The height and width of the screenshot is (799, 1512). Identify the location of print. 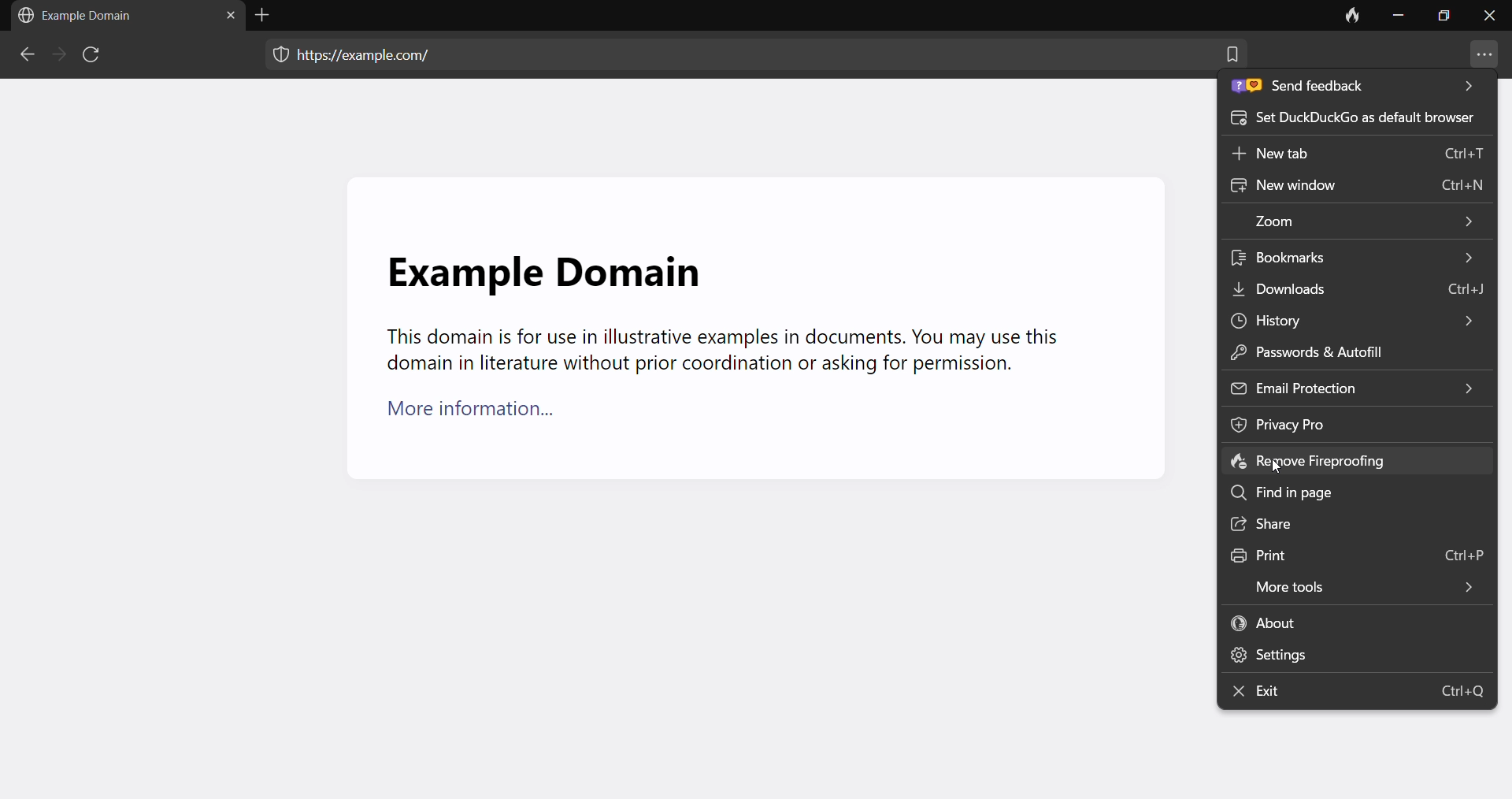
(1354, 552).